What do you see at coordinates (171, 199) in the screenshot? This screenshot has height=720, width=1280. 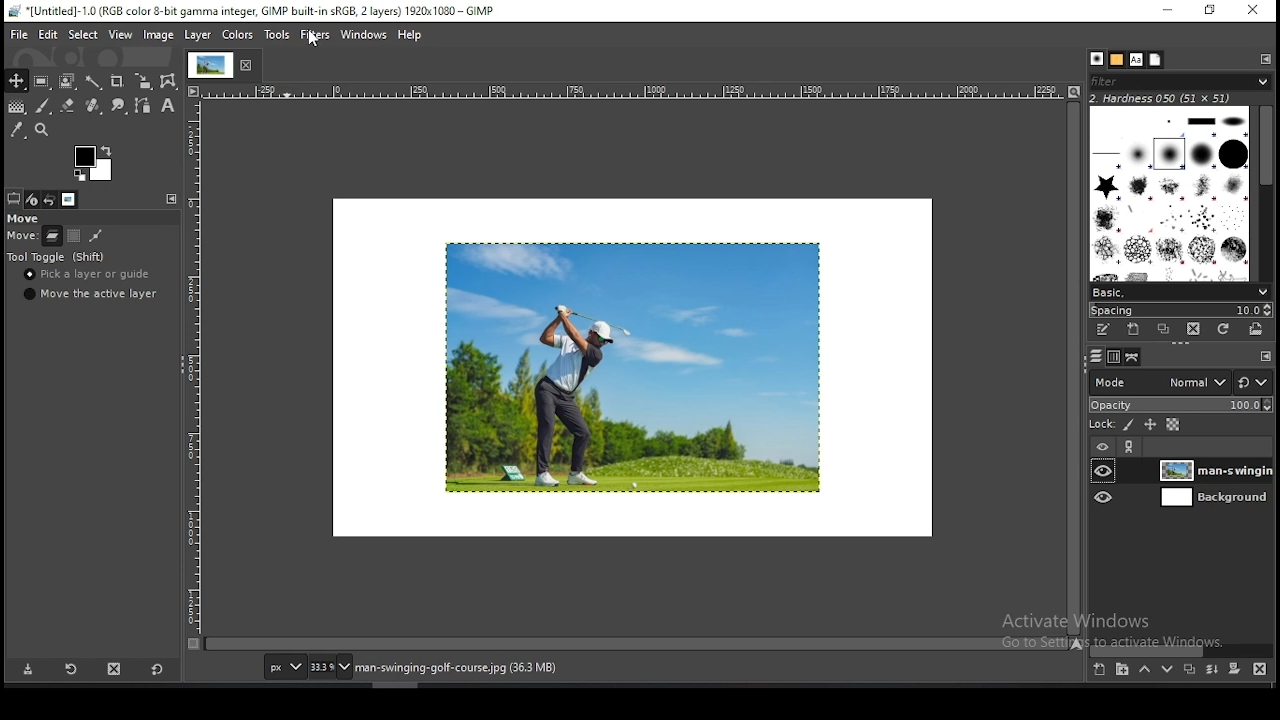 I see `configure this tab` at bounding box center [171, 199].